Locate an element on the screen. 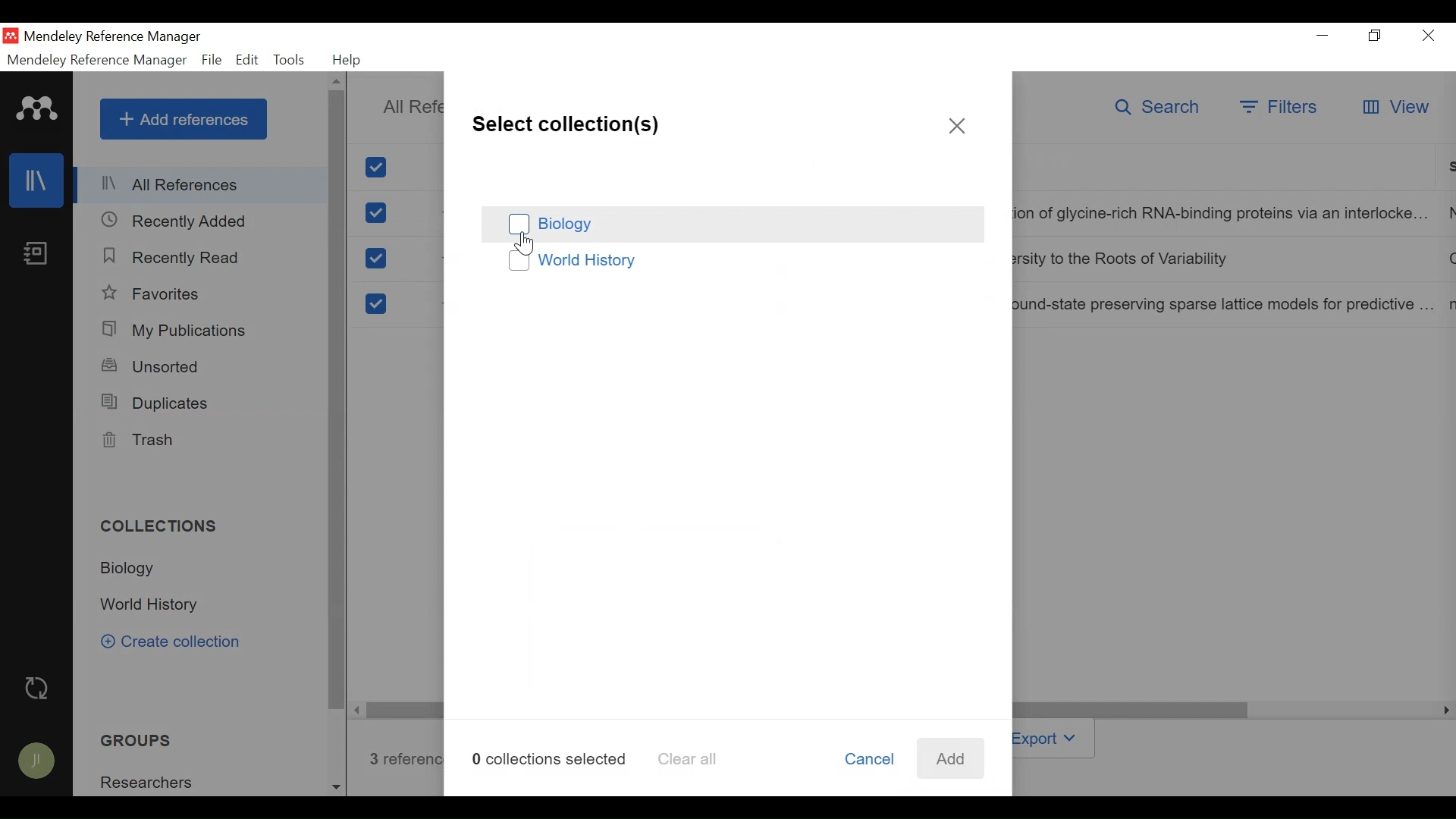 The height and width of the screenshot is (819, 1456). Search is located at coordinates (1161, 109).